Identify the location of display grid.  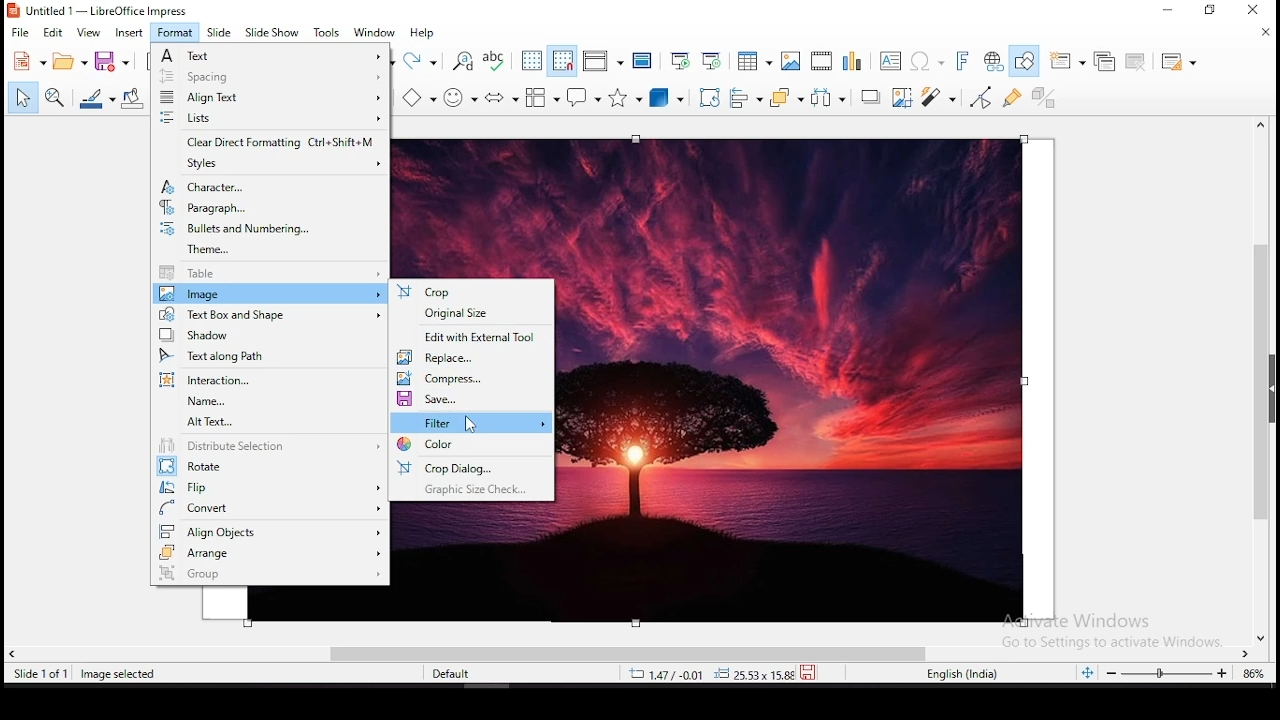
(531, 61).